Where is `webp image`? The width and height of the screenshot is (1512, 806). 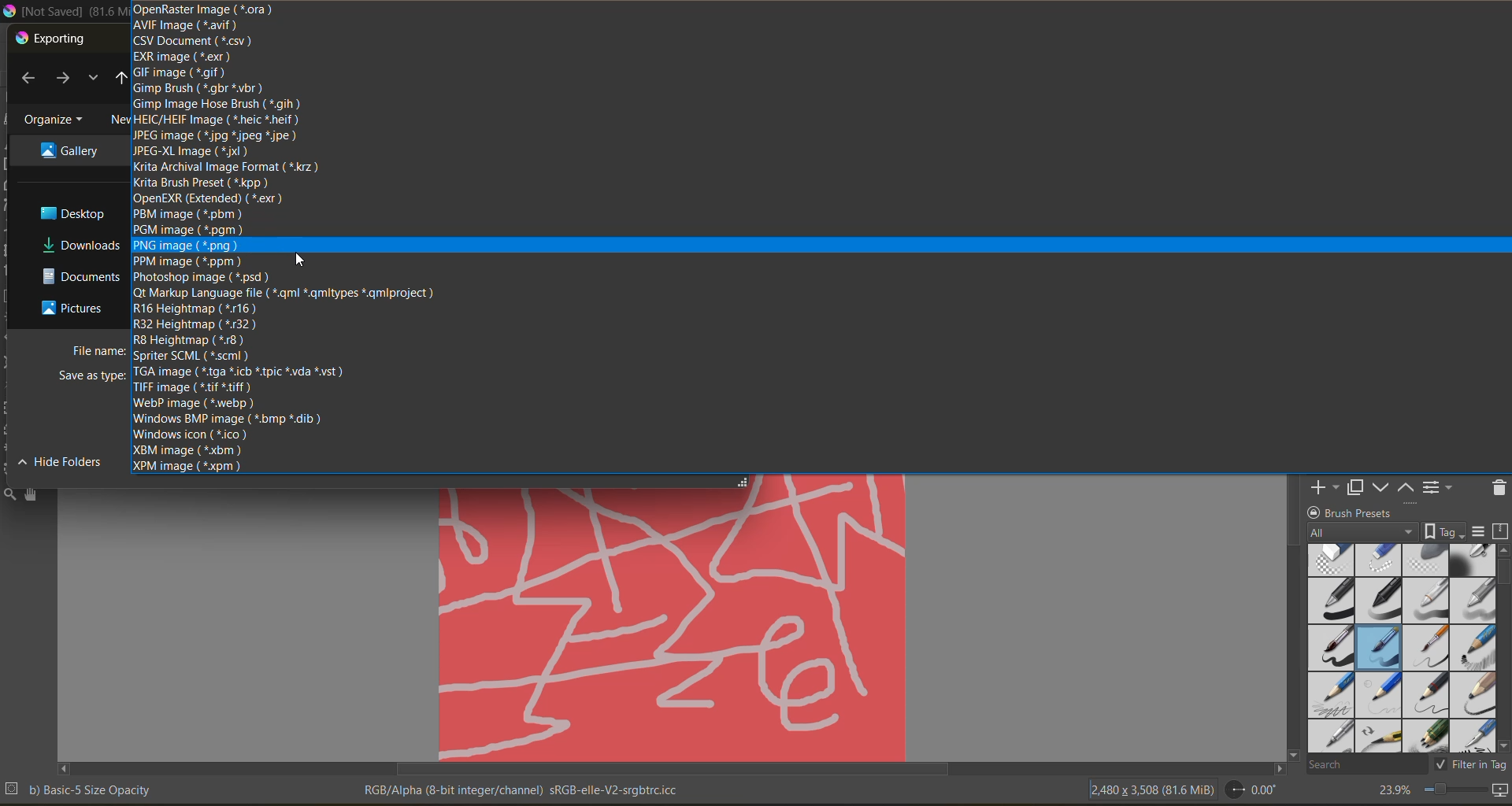
webp image is located at coordinates (197, 404).